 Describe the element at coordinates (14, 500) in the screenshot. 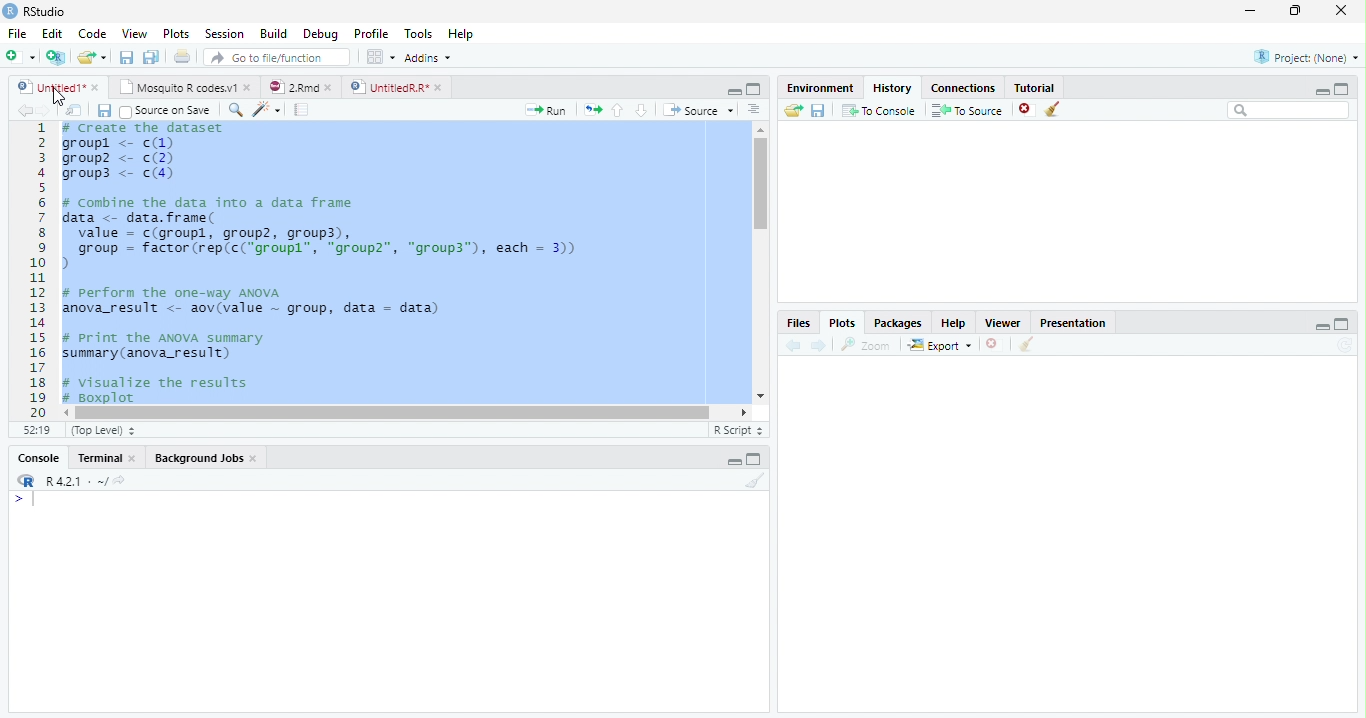

I see `>` at that location.